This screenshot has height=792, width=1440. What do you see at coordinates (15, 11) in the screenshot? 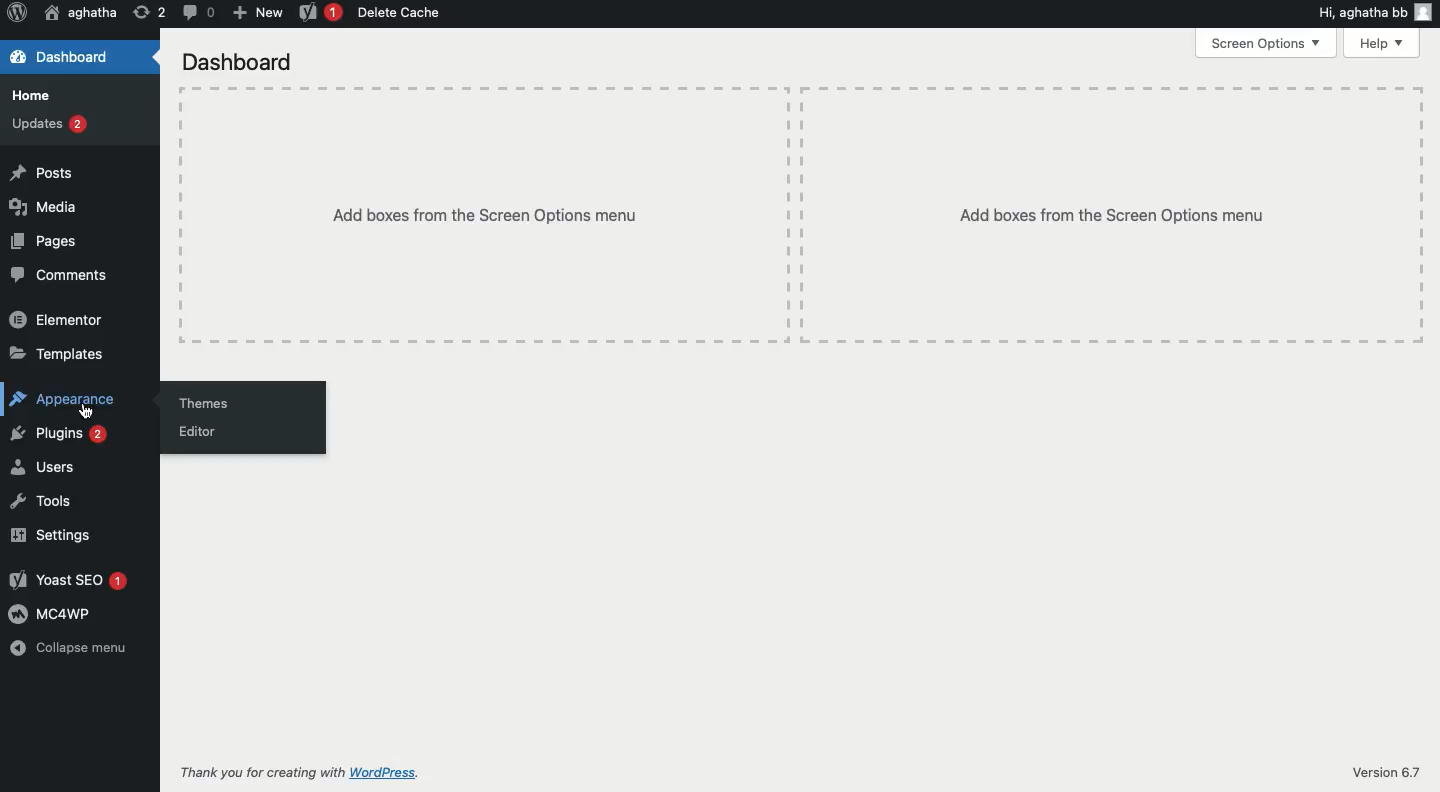
I see `Wordpress` at bounding box center [15, 11].